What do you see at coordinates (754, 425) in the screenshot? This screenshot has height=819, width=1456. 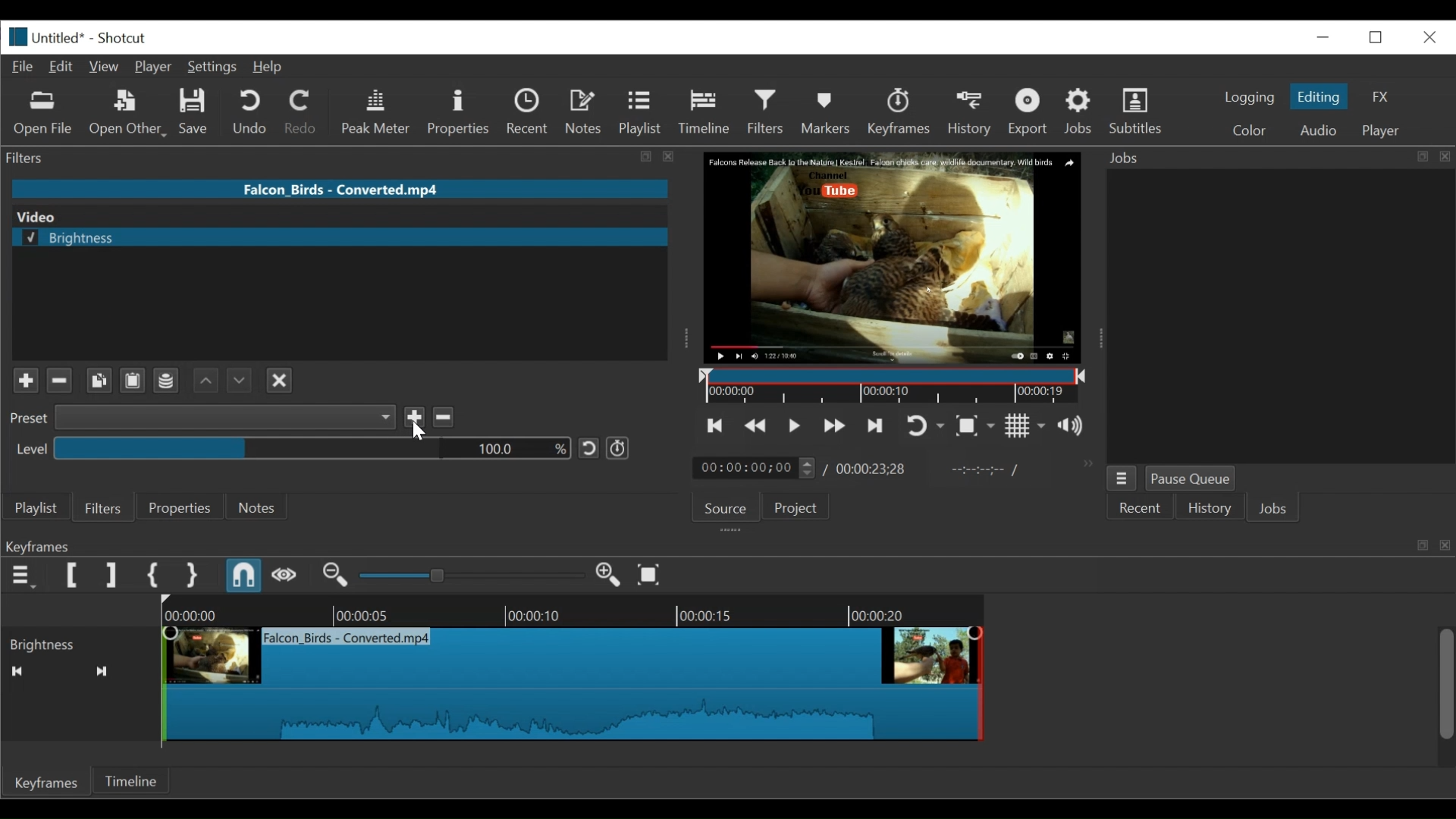 I see `Play backward quickly` at bounding box center [754, 425].